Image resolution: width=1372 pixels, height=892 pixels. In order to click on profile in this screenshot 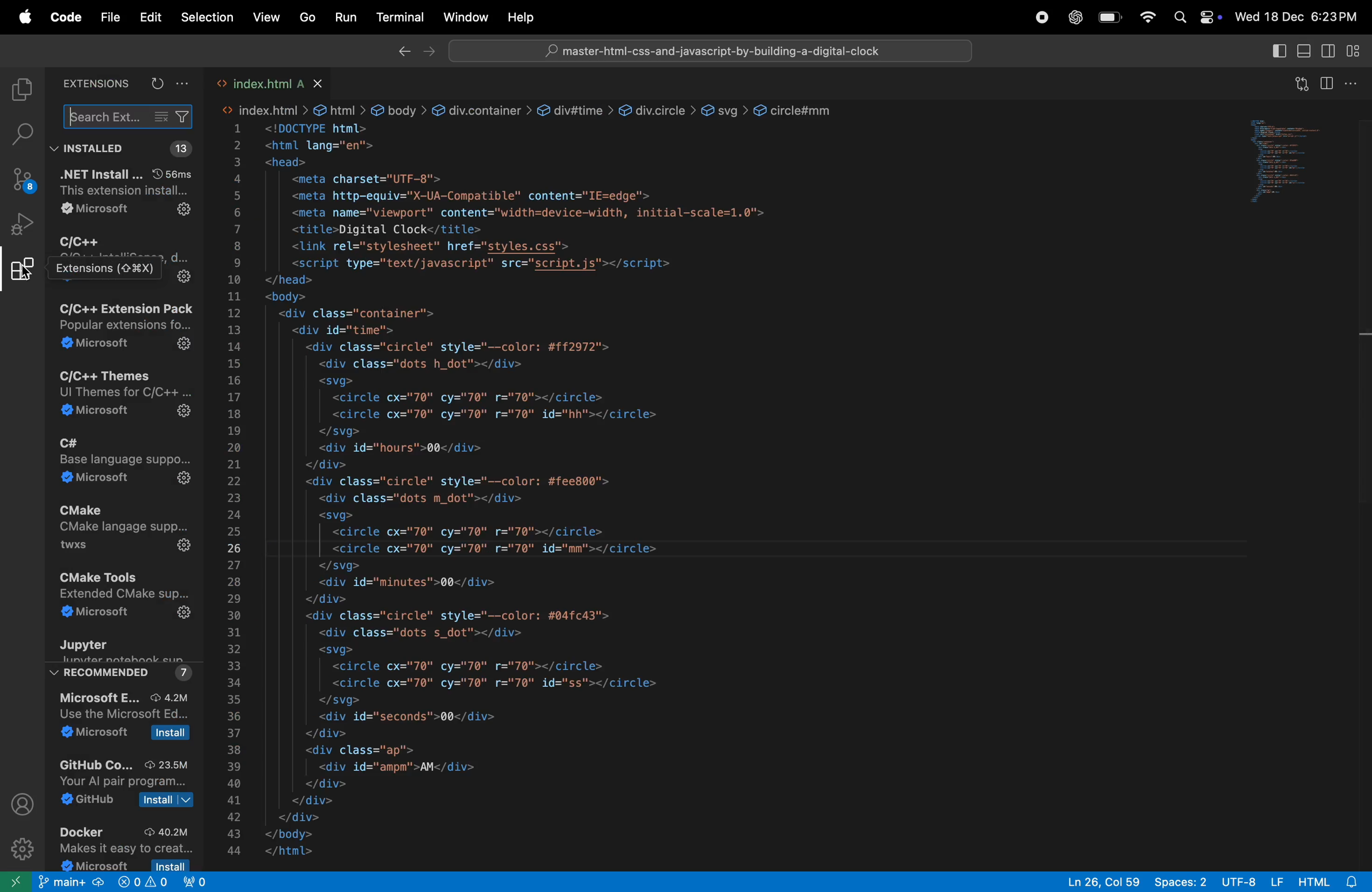, I will do `click(25, 804)`.